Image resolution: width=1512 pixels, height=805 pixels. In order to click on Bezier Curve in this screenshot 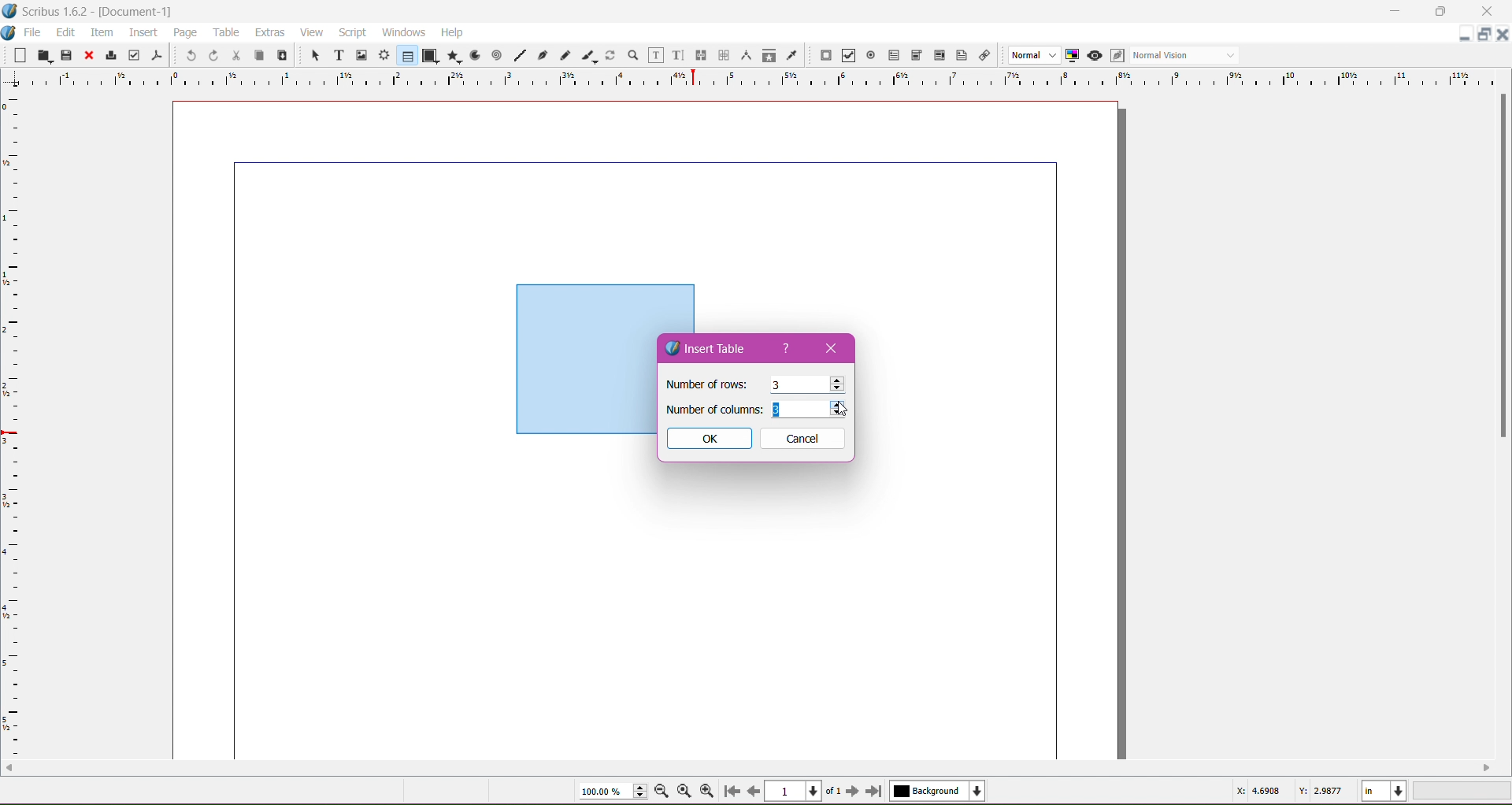, I will do `click(541, 54)`.